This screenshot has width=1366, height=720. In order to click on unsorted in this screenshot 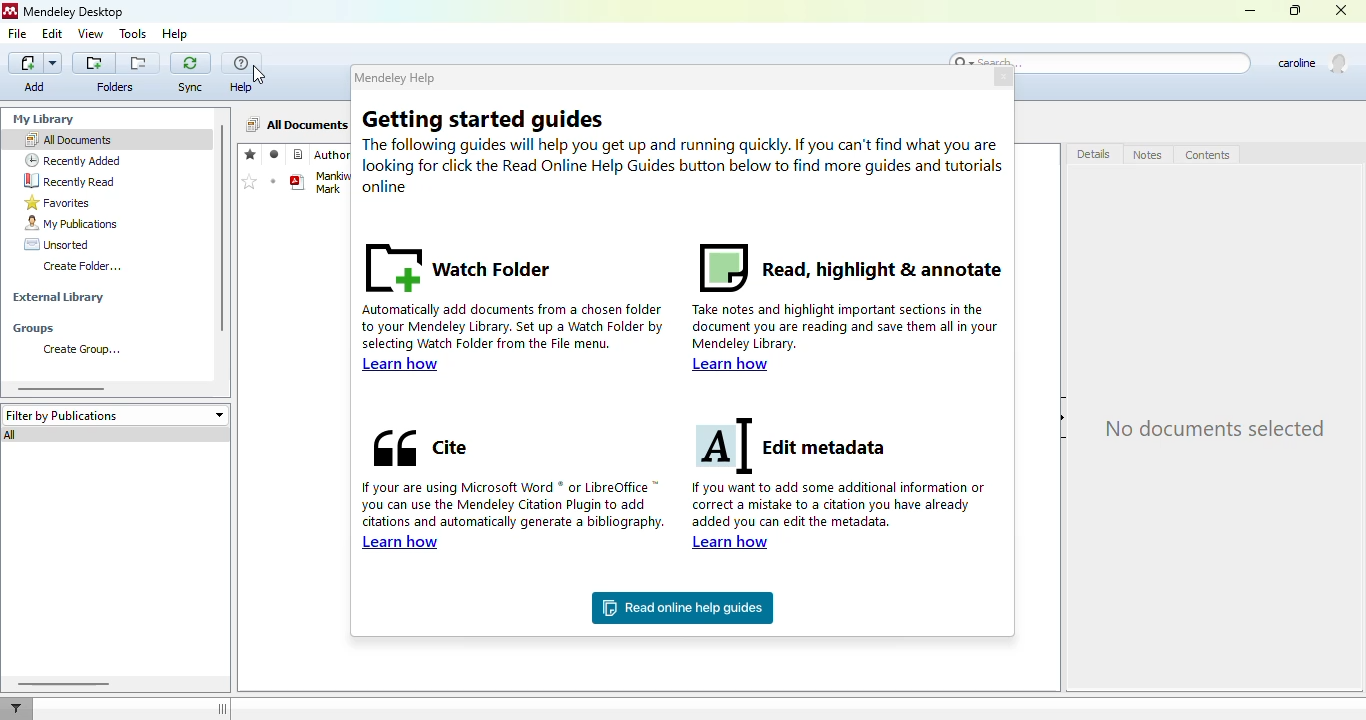, I will do `click(56, 244)`.